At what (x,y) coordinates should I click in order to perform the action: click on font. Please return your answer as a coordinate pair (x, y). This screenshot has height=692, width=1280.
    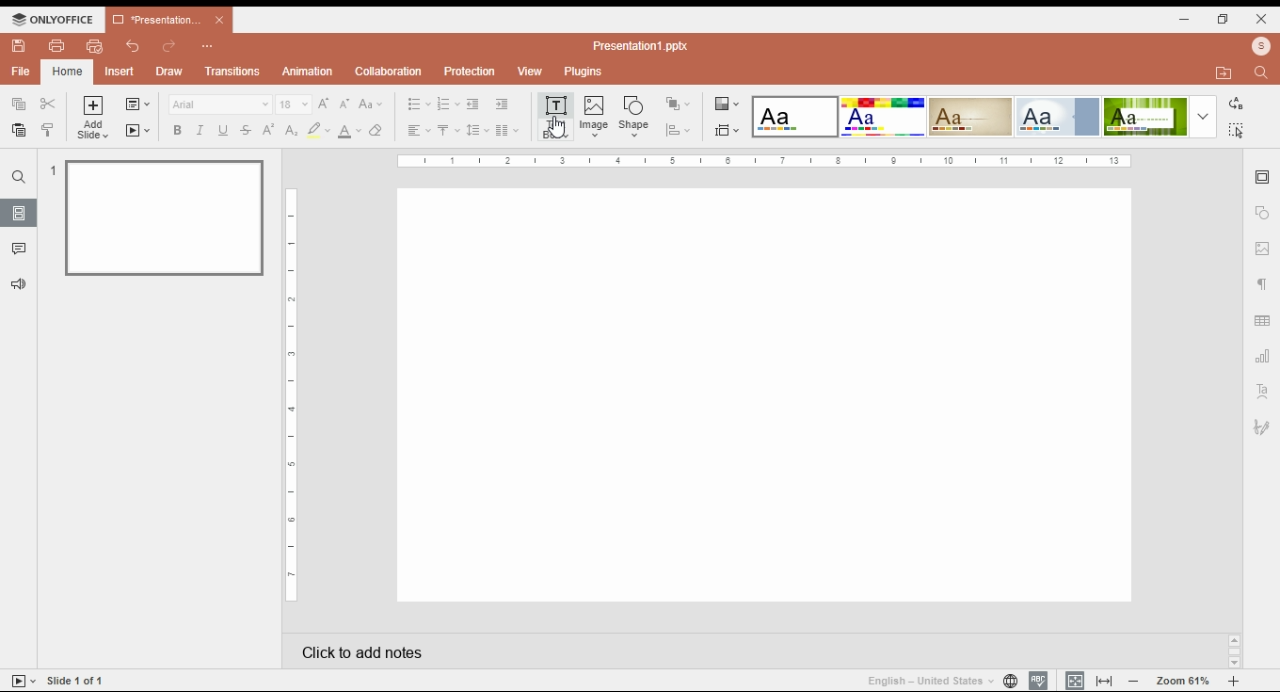
    Looking at the image, I should click on (220, 104).